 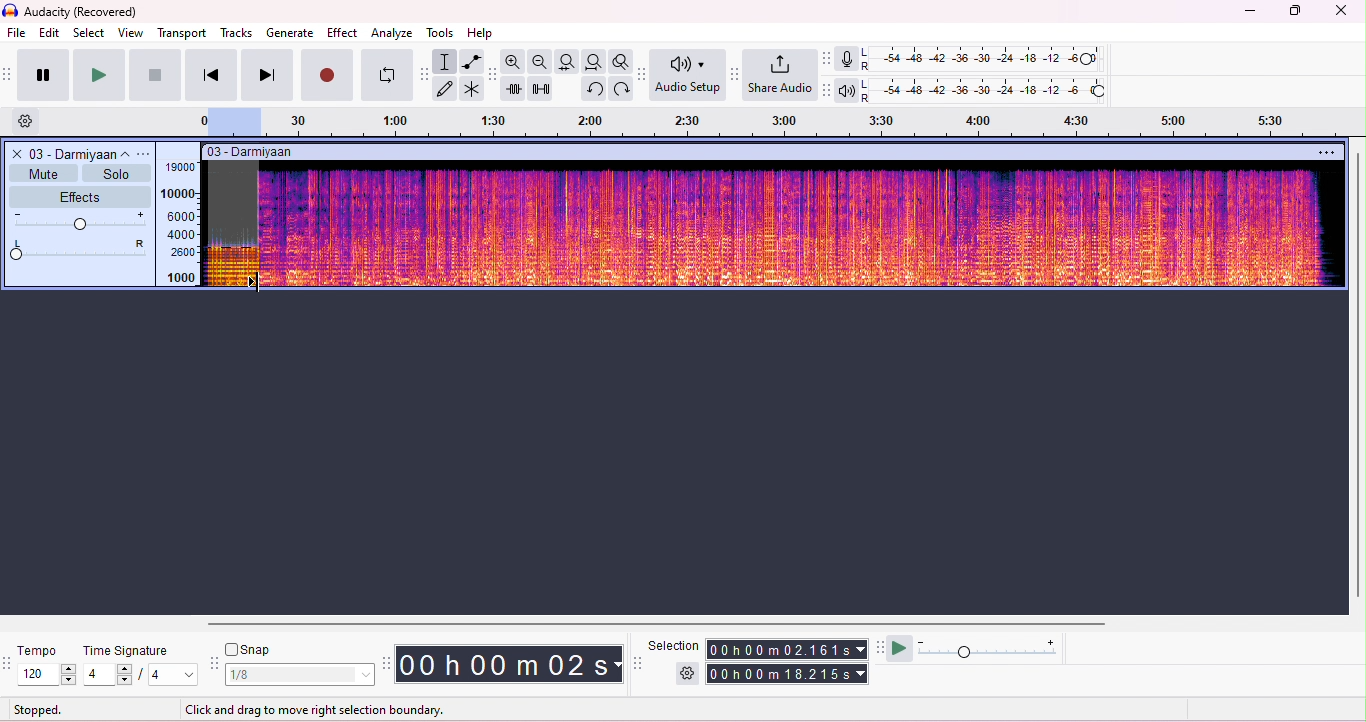 What do you see at coordinates (257, 283) in the screenshot?
I see `cursor movement` at bounding box center [257, 283].